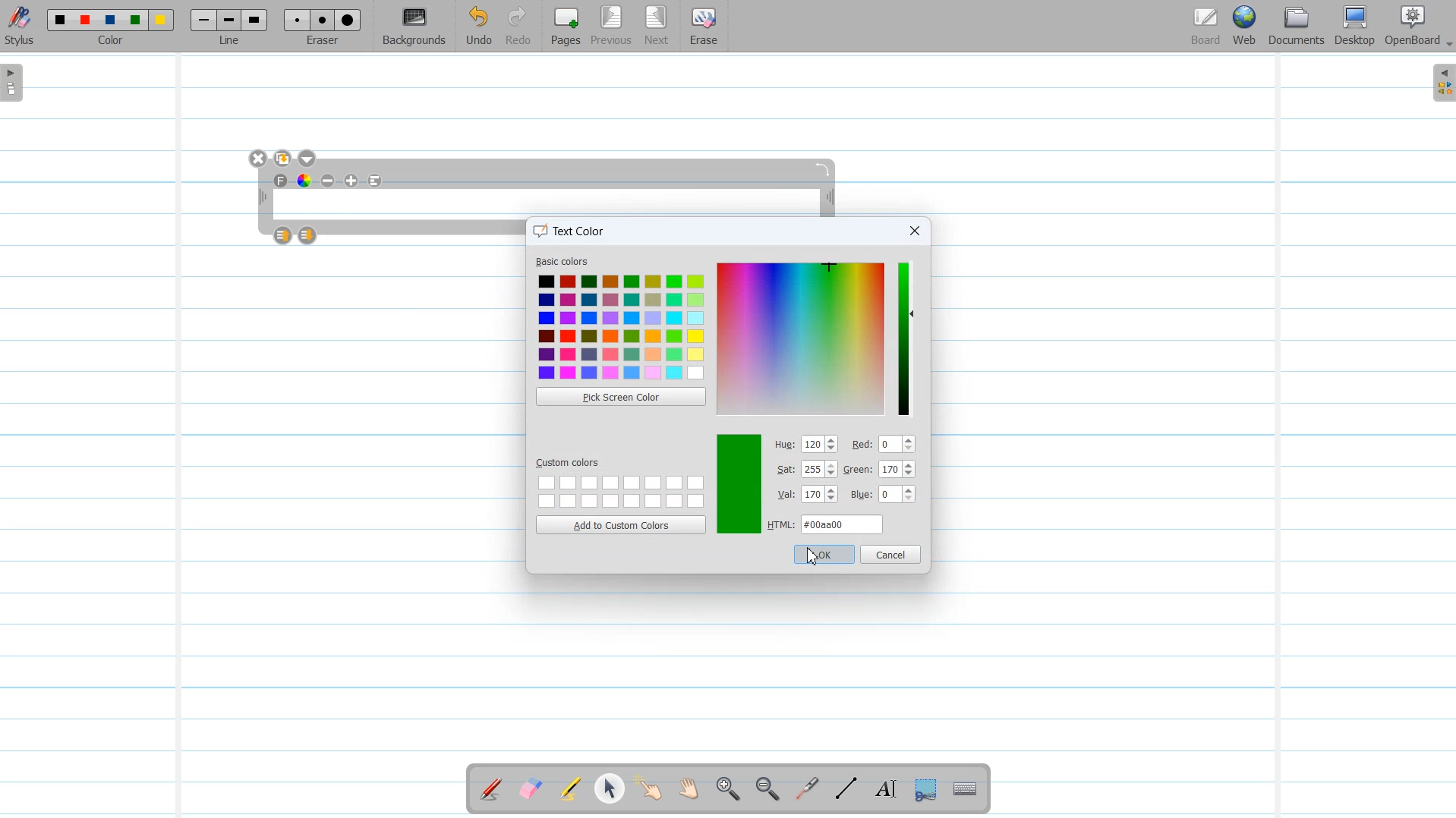  I want to click on Document, so click(1298, 26).